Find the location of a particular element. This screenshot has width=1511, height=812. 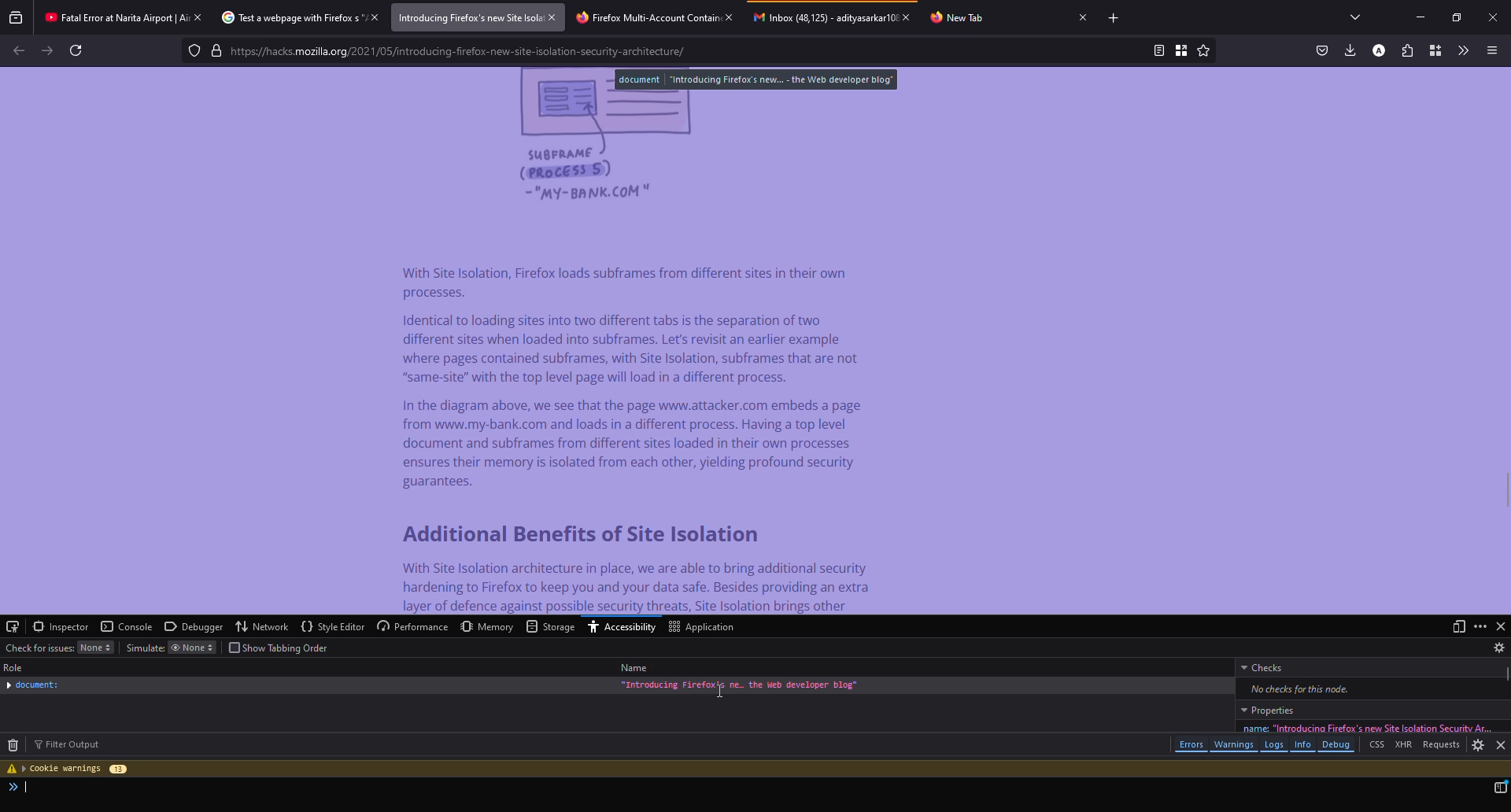

close is located at coordinates (194, 17).